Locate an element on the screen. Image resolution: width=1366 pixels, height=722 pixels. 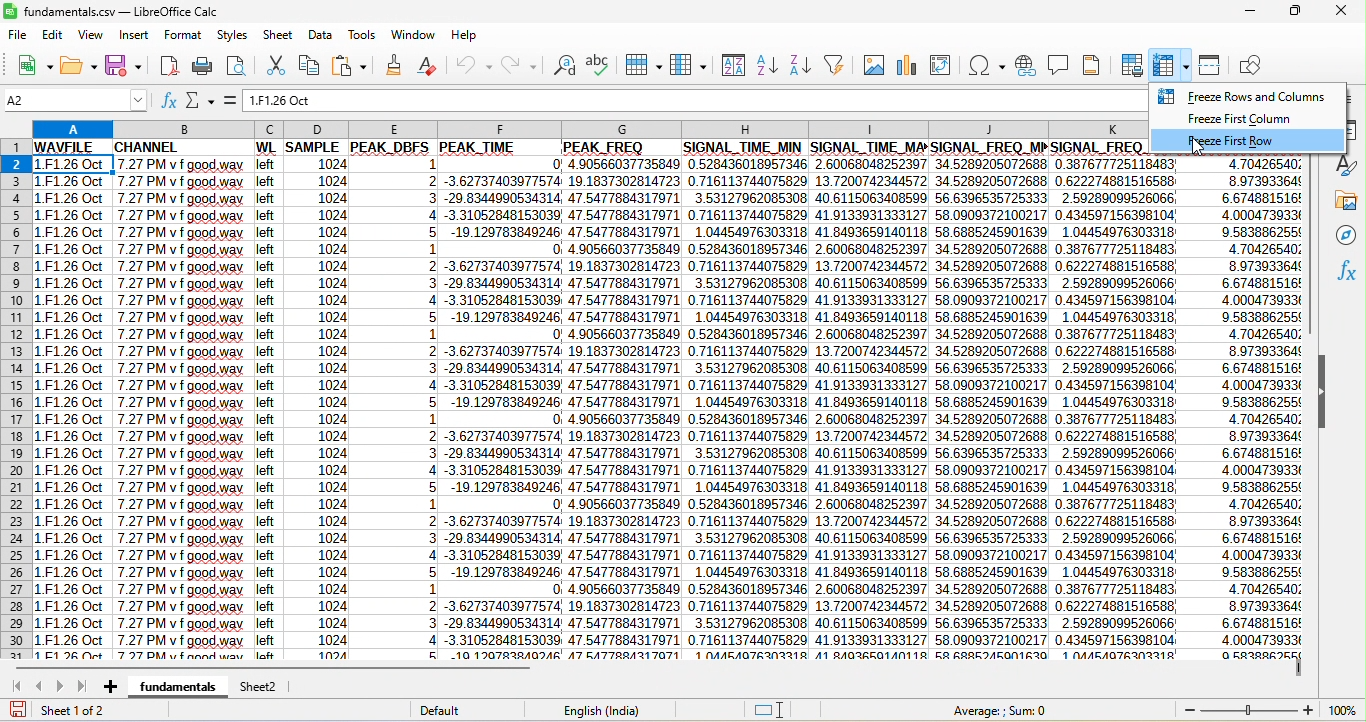
function is located at coordinates (1348, 276).